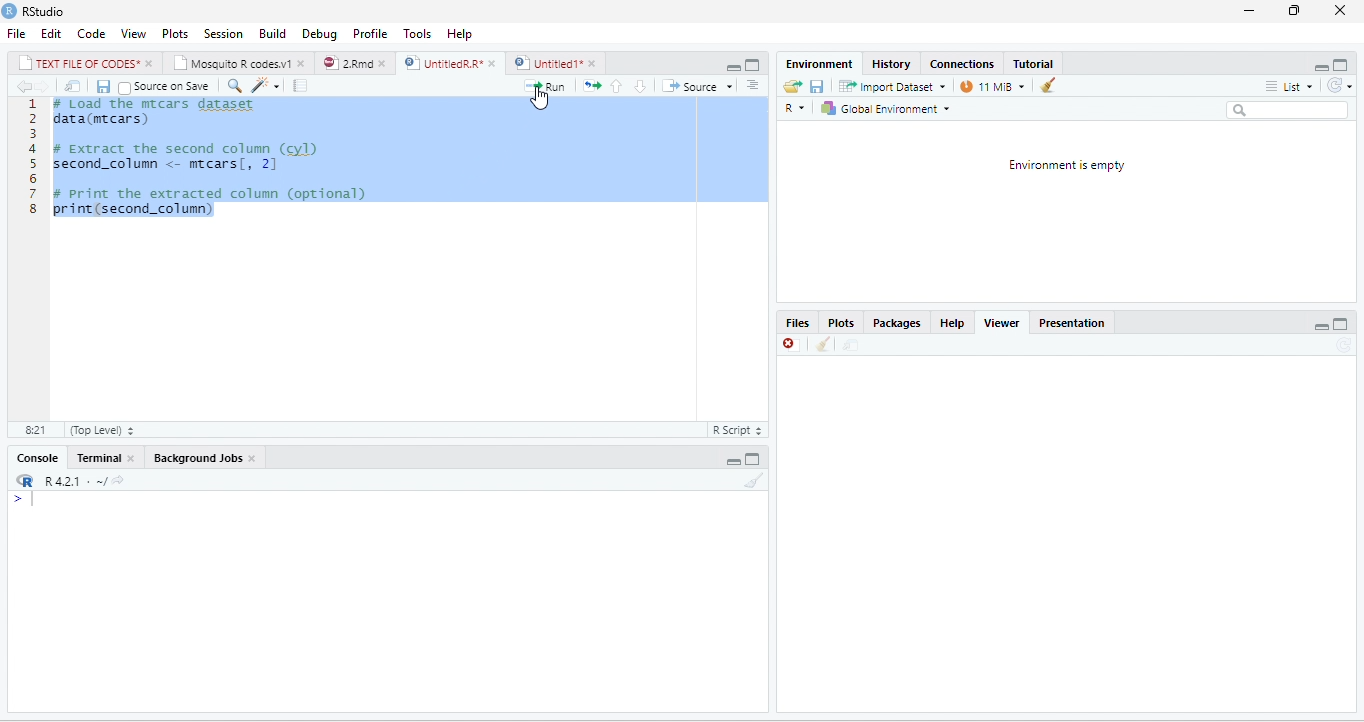 The image size is (1364, 722). What do you see at coordinates (590, 86) in the screenshot?
I see `re-run the previous code region` at bounding box center [590, 86].